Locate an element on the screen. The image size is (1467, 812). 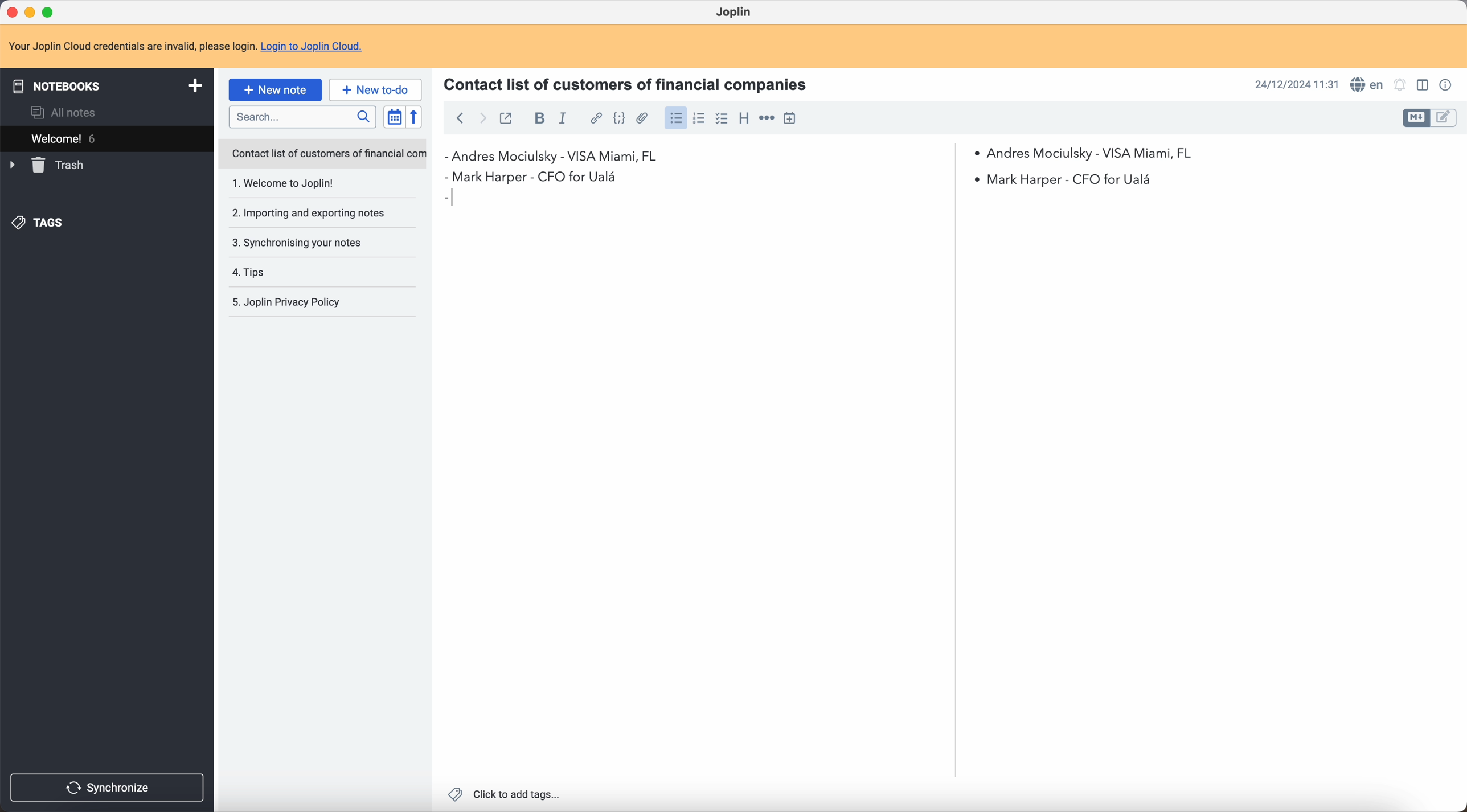
insert time is located at coordinates (789, 118).